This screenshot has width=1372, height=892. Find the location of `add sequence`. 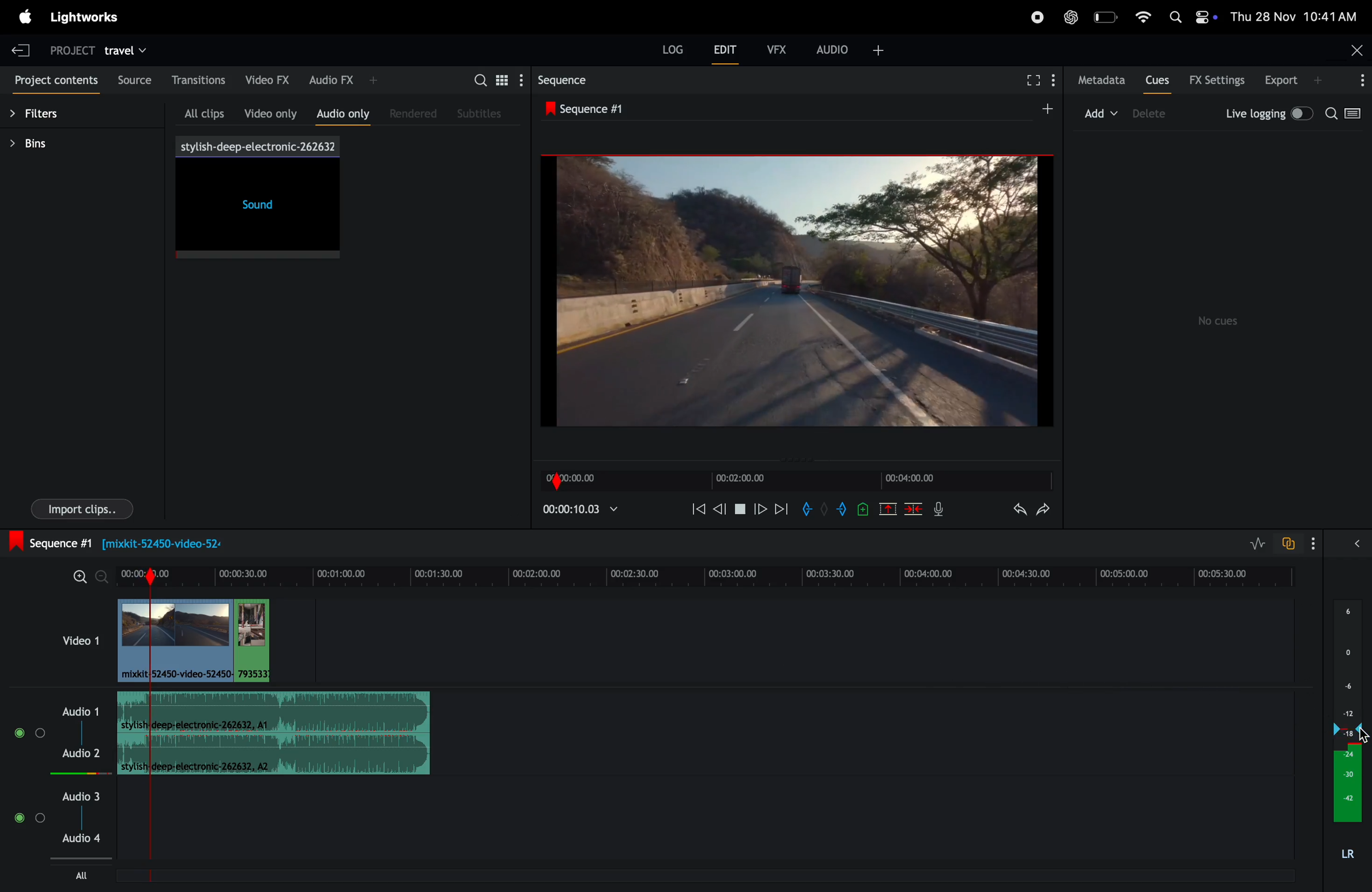

add sequence is located at coordinates (1047, 109).